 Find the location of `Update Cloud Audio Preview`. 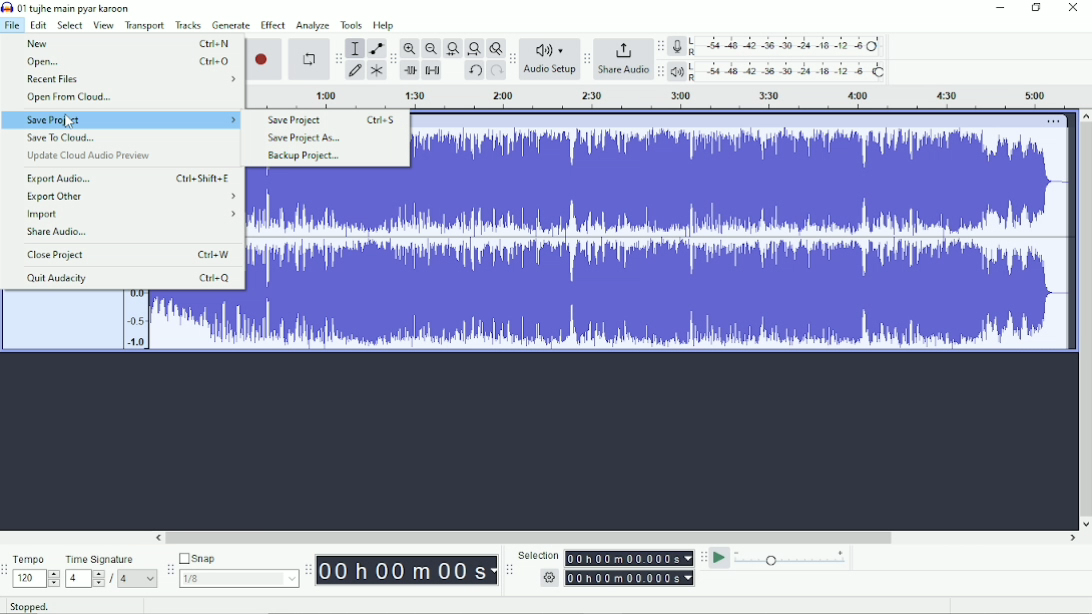

Update Cloud Audio Preview is located at coordinates (95, 157).